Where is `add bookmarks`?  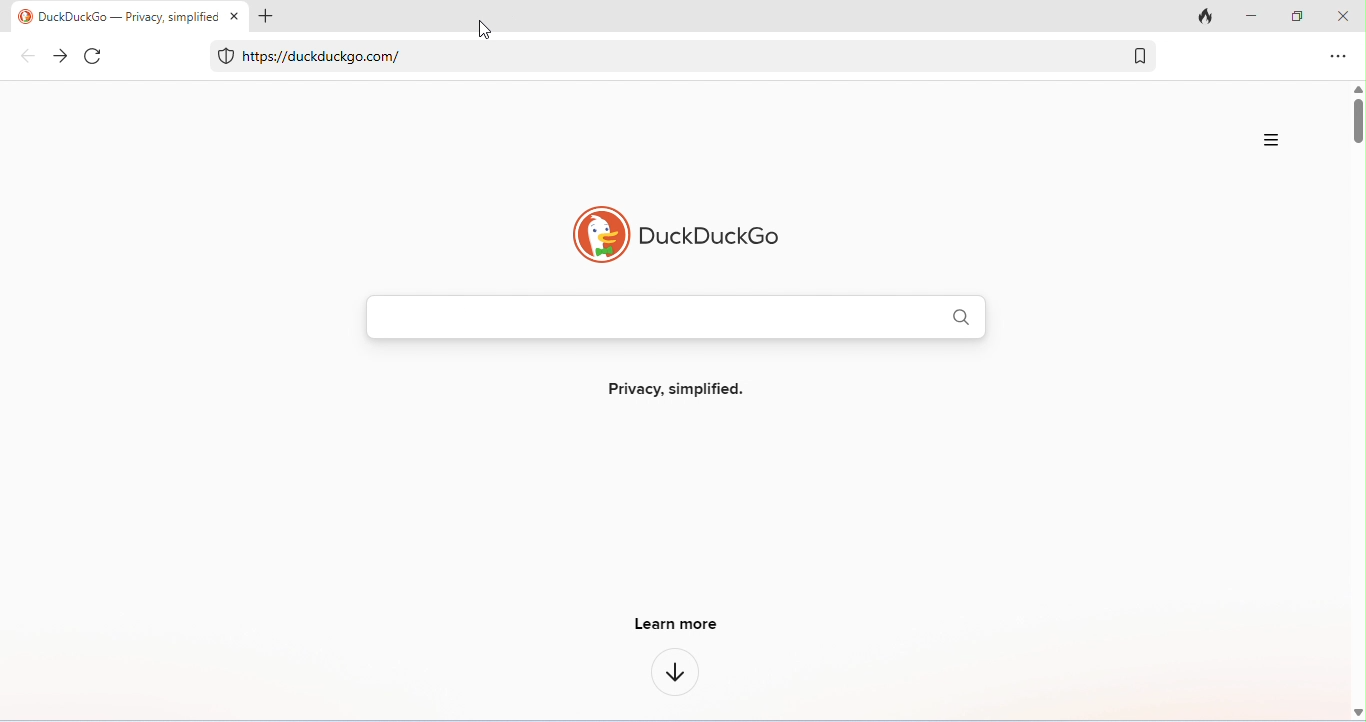 add bookmarks is located at coordinates (1140, 55).